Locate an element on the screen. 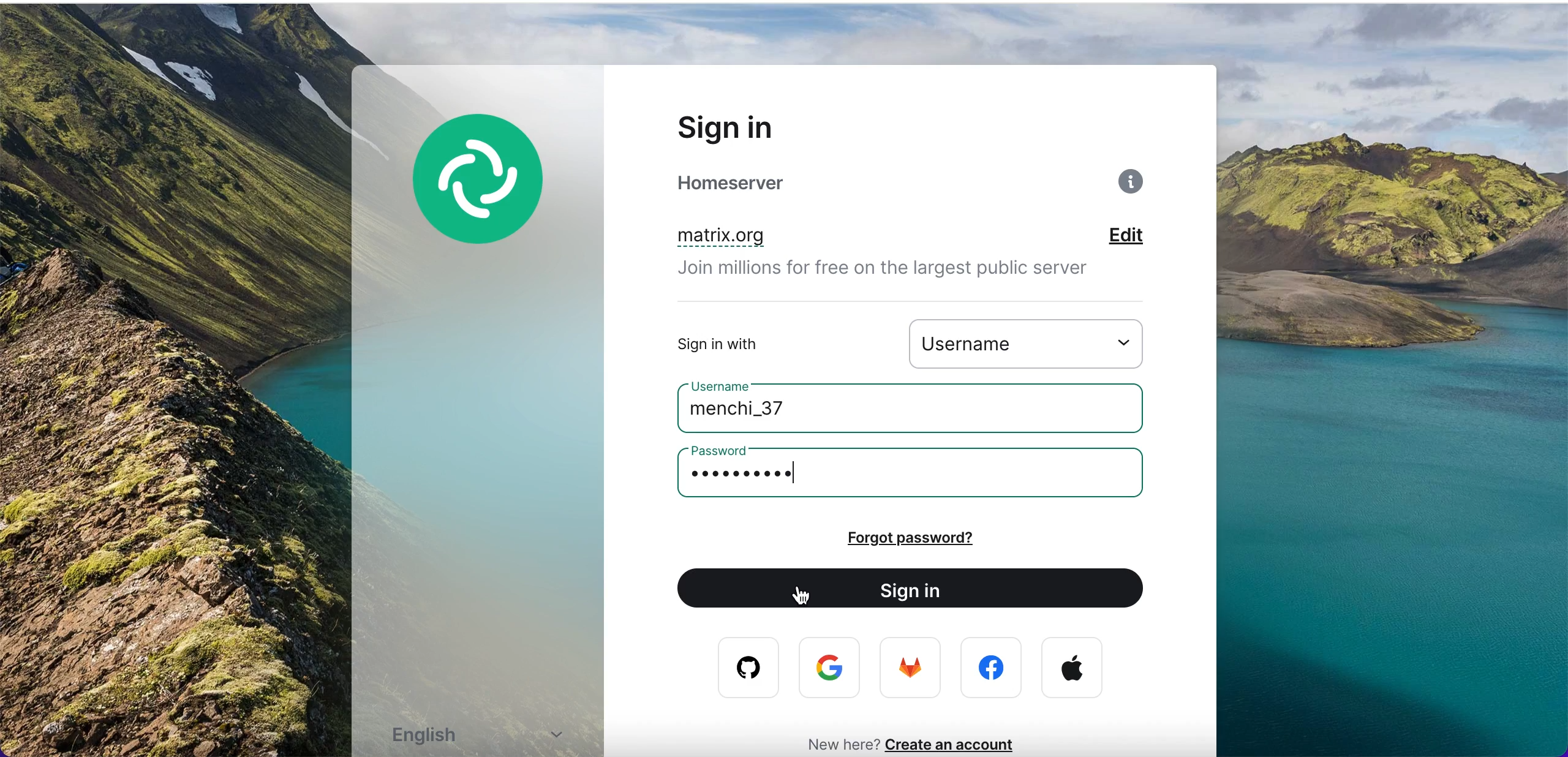 The height and width of the screenshot is (757, 1568). username is located at coordinates (1034, 342).